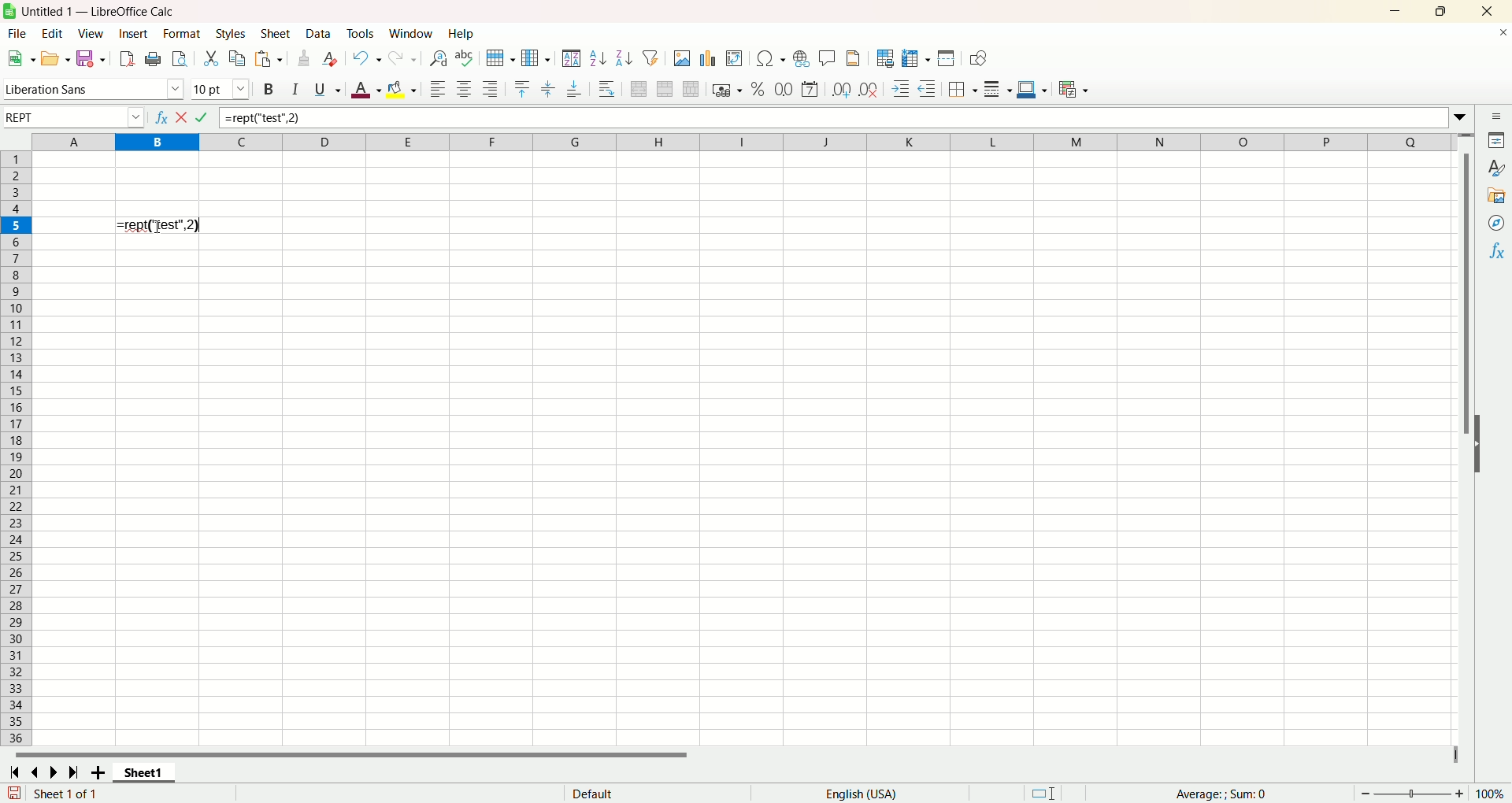 The image size is (1512, 803). What do you see at coordinates (976, 58) in the screenshot?
I see `draw function` at bounding box center [976, 58].